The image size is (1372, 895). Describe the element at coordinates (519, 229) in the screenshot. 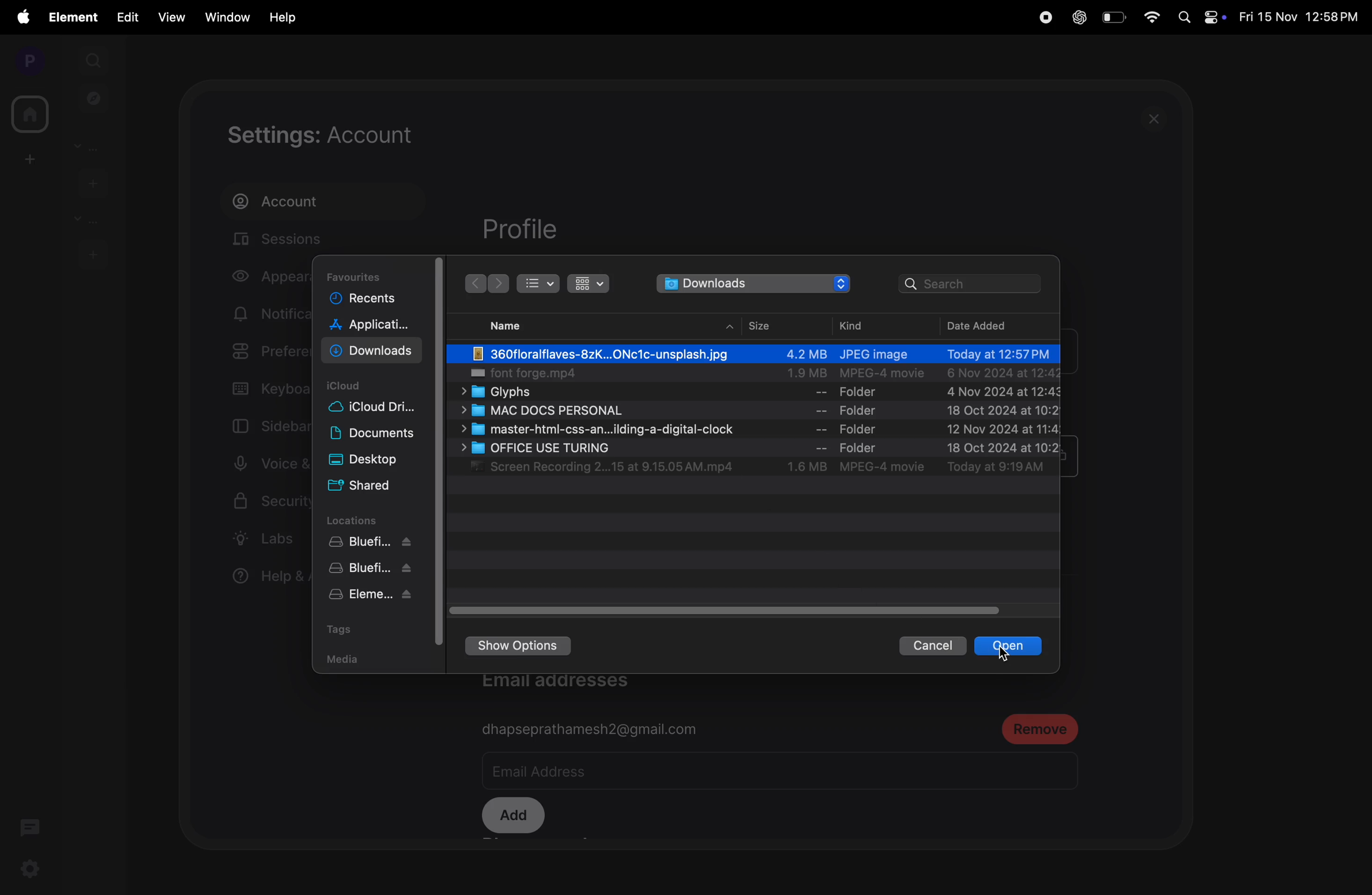

I see `profile` at that location.